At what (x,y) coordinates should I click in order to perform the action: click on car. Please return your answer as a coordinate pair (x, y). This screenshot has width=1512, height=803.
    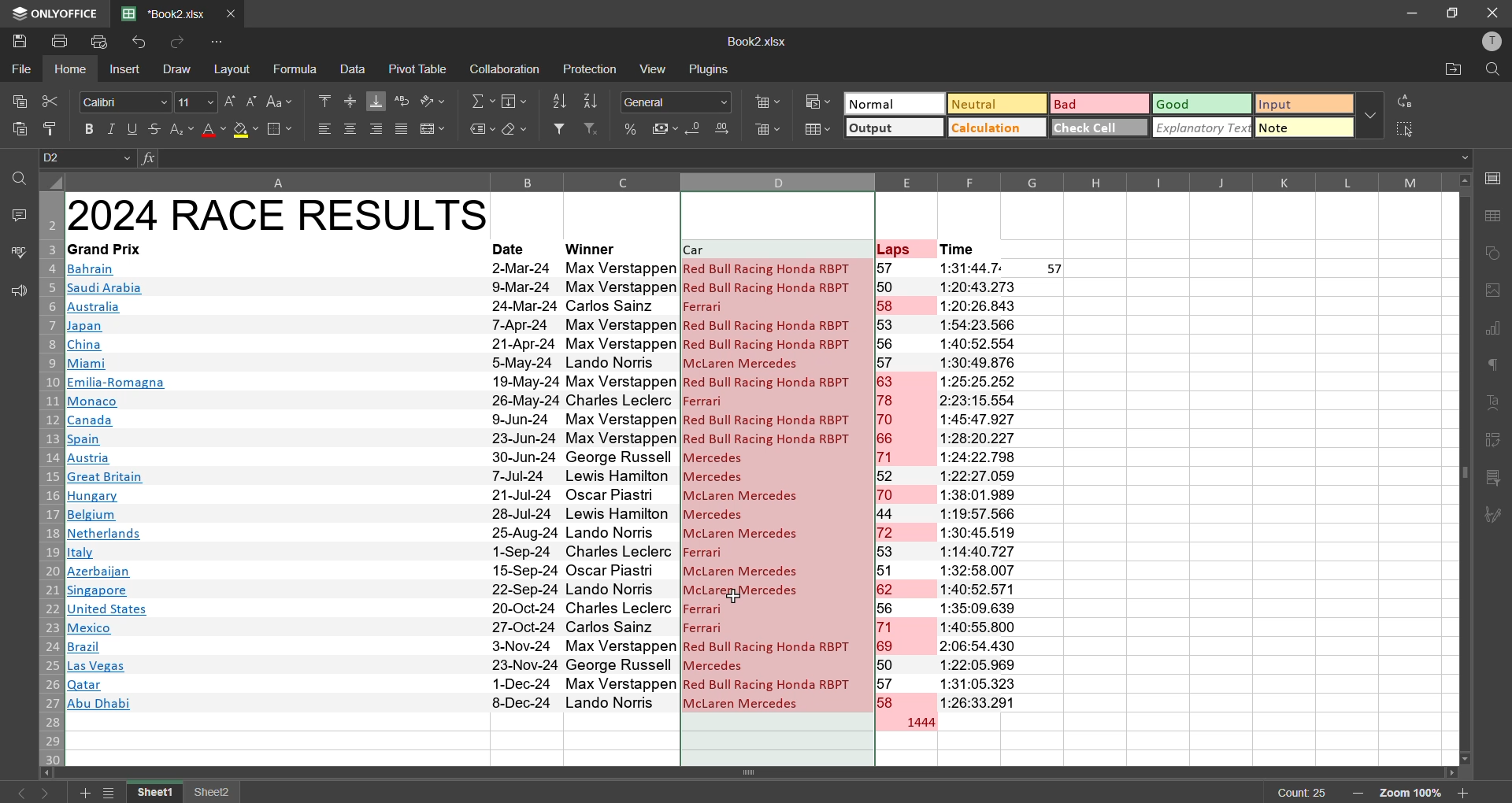
    Looking at the image, I should click on (697, 250).